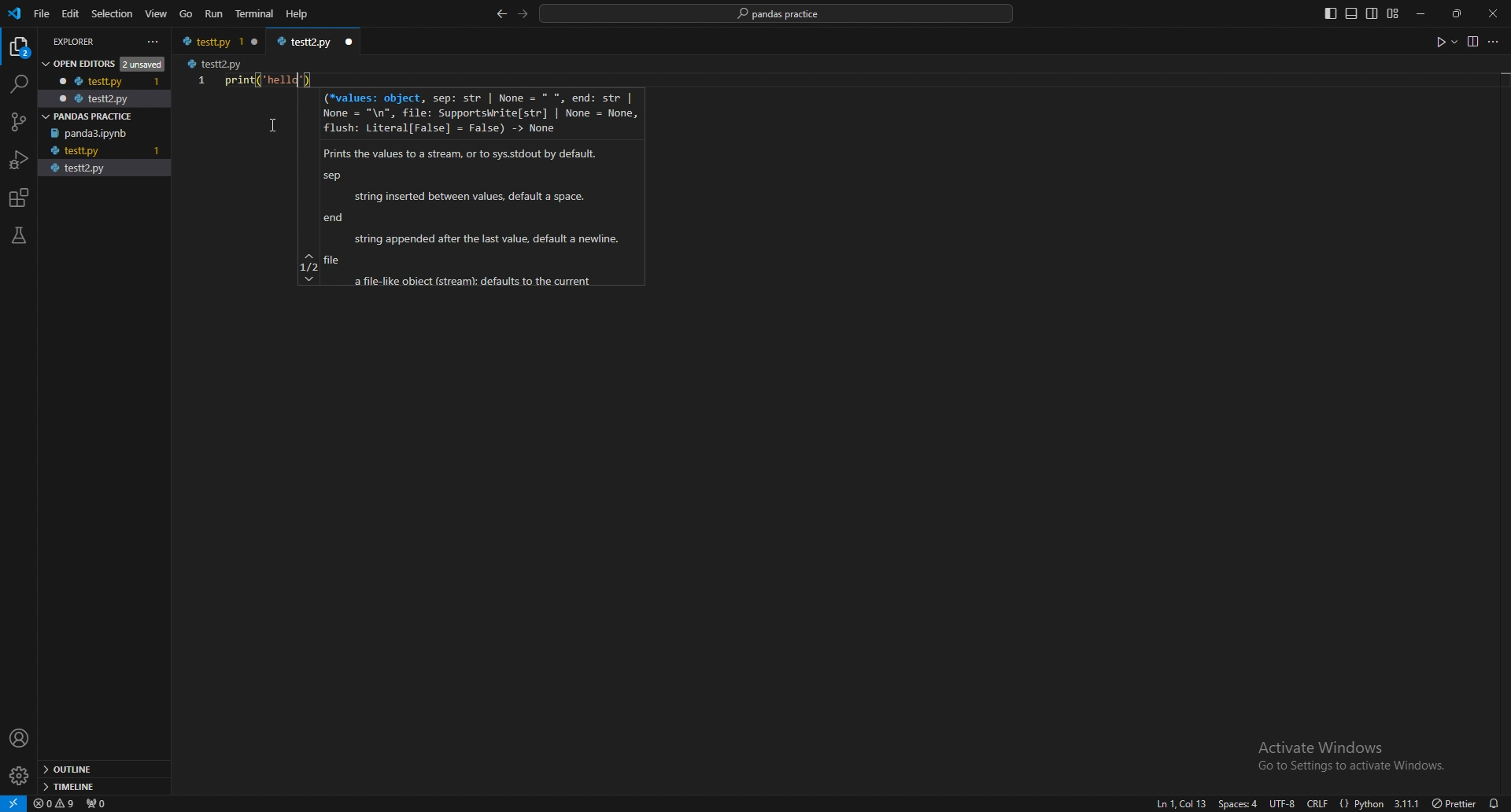  What do you see at coordinates (523, 13) in the screenshot?
I see `forward` at bounding box center [523, 13].